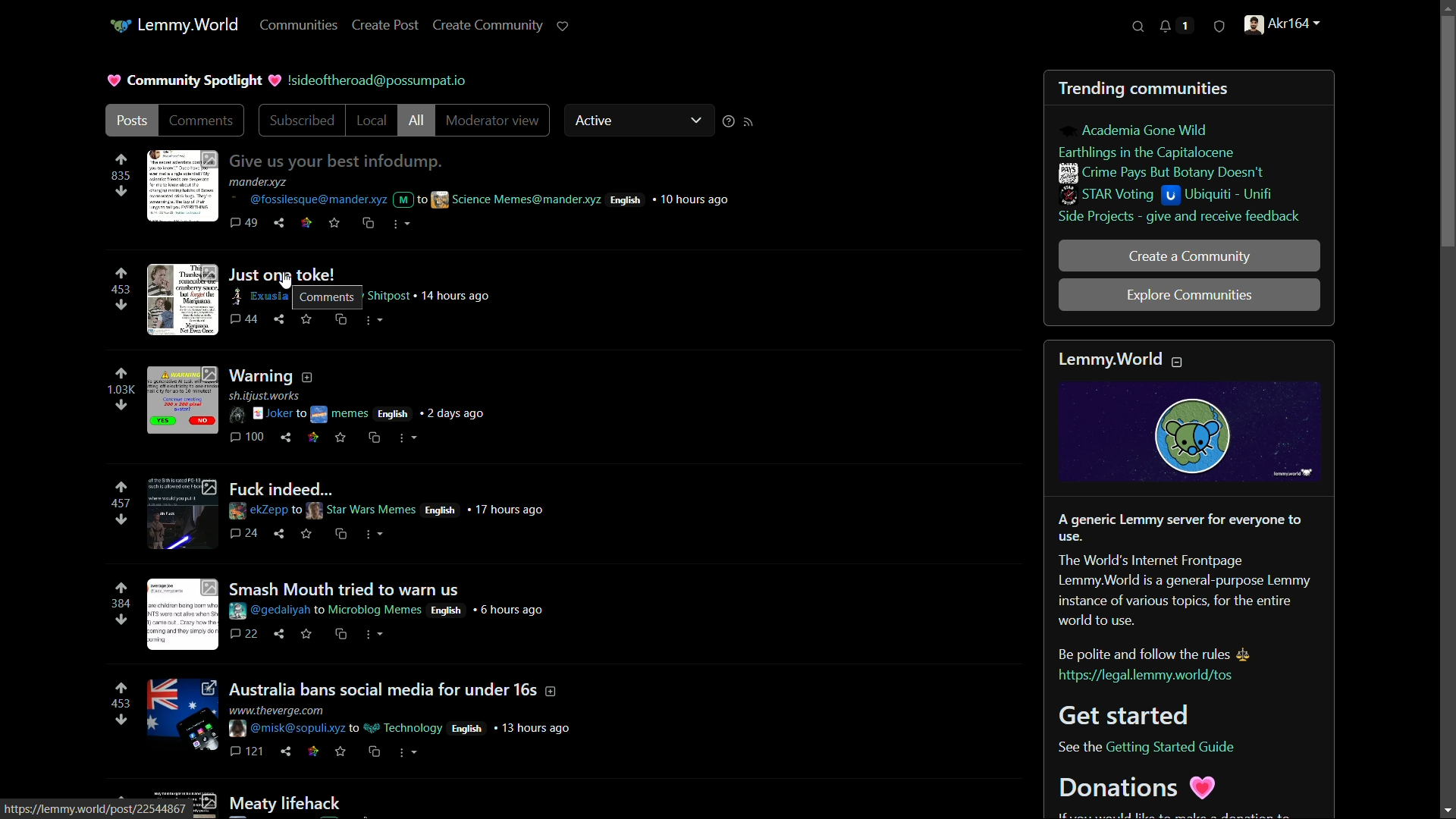 The height and width of the screenshot is (819, 1456). Describe the element at coordinates (354, 729) in the screenshot. I see `to` at that location.